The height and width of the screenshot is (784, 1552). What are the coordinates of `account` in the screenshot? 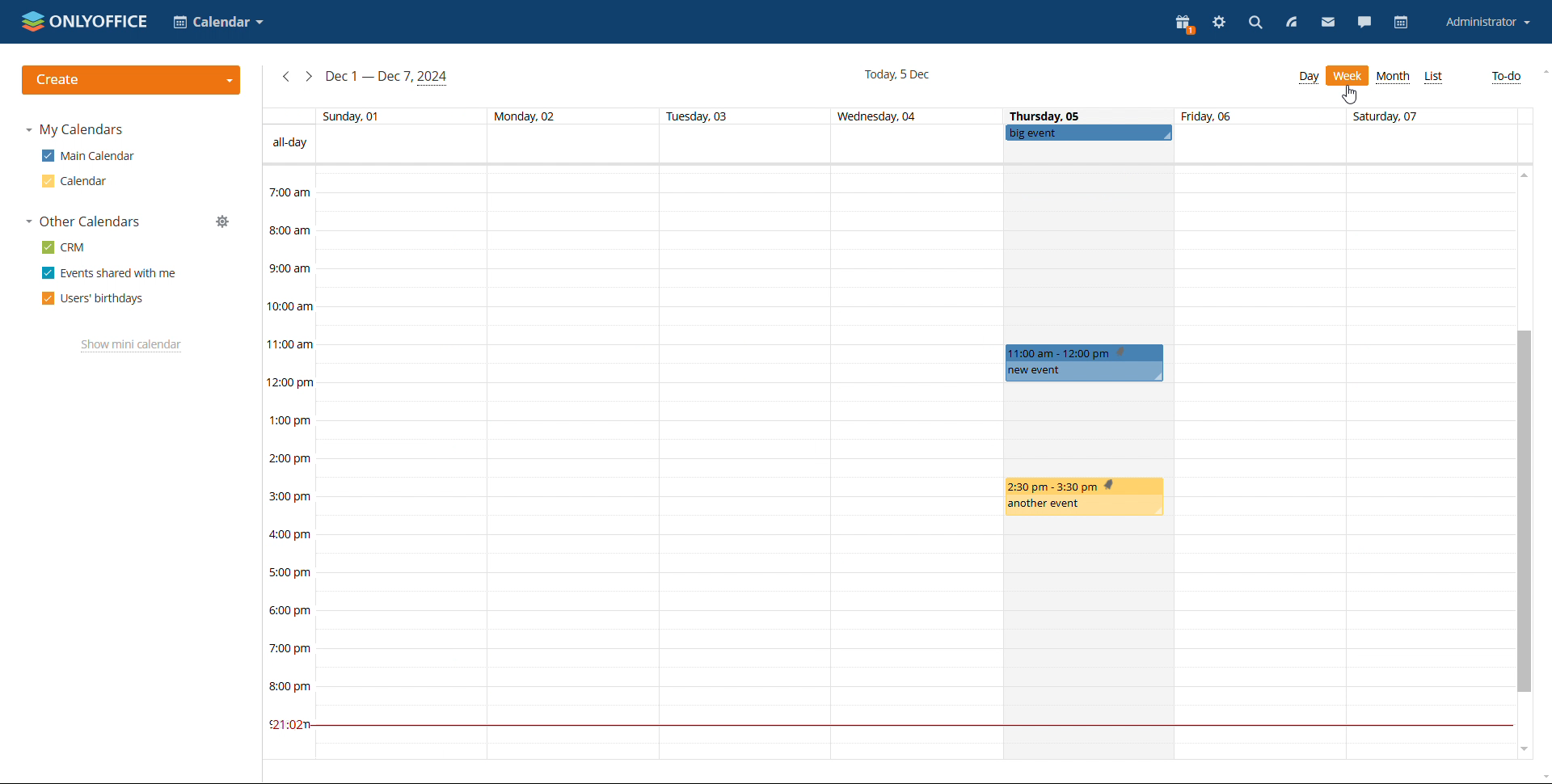 It's located at (1488, 22).